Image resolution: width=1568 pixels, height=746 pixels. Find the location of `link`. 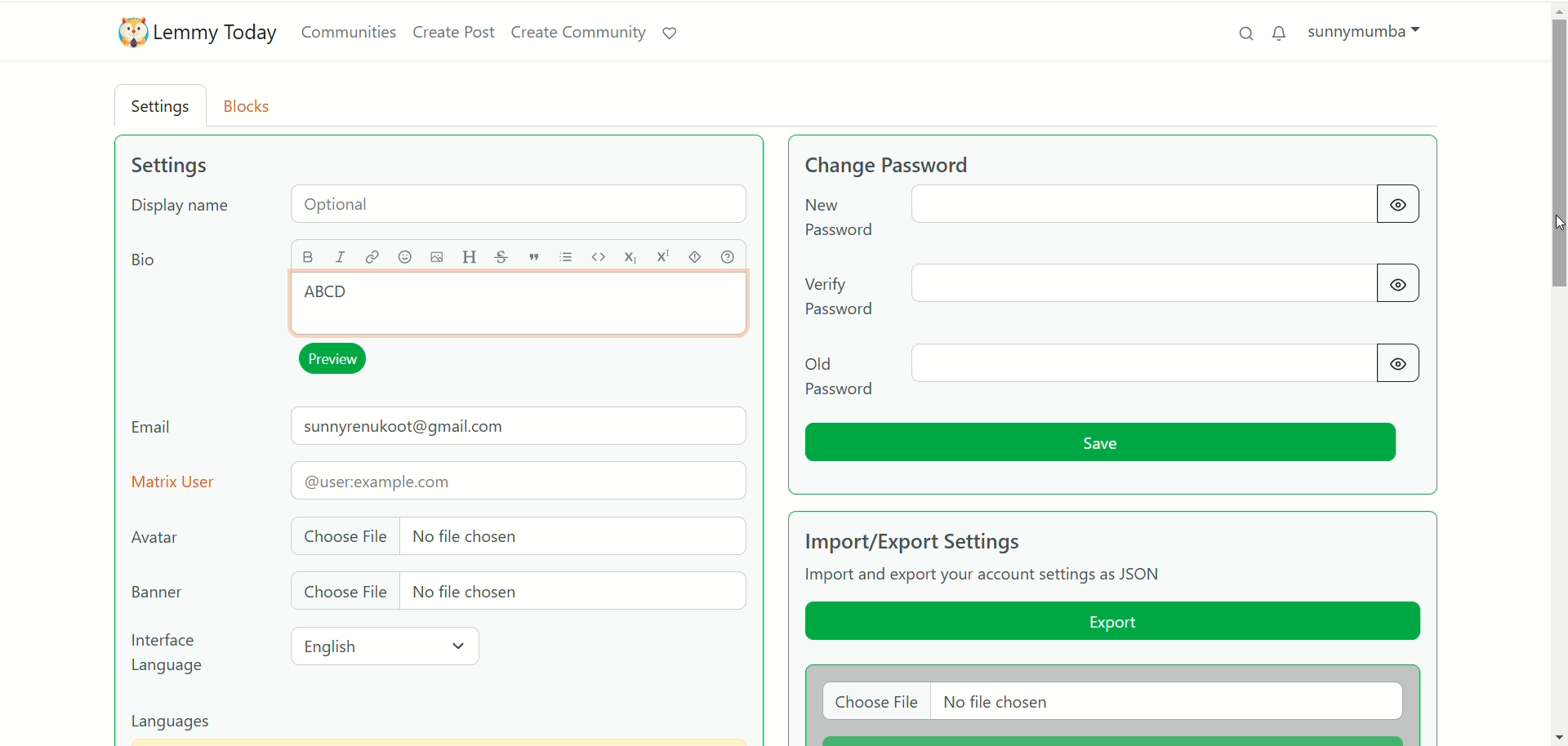

link is located at coordinates (372, 256).